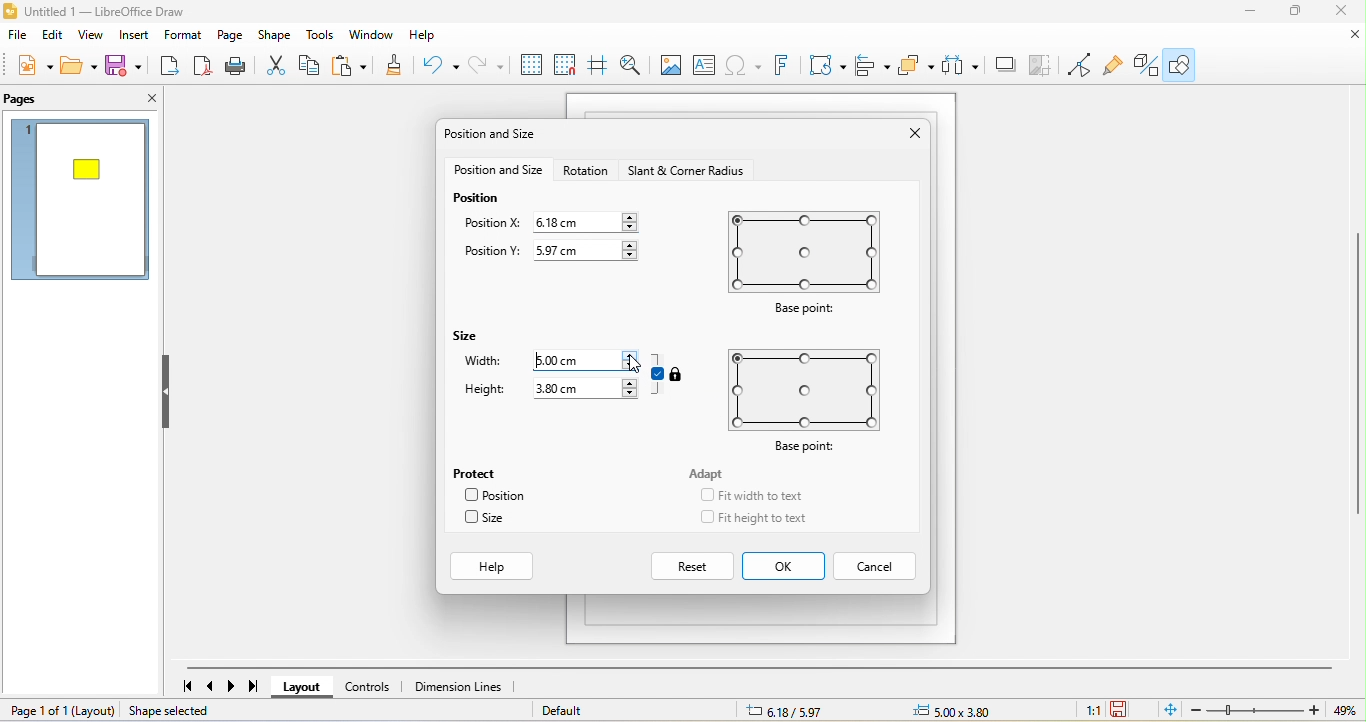 Image resolution: width=1366 pixels, height=722 pixels. Describe the element at coordinates (202, 68) in the screenshot. I see `export direct as pdf` at that location.